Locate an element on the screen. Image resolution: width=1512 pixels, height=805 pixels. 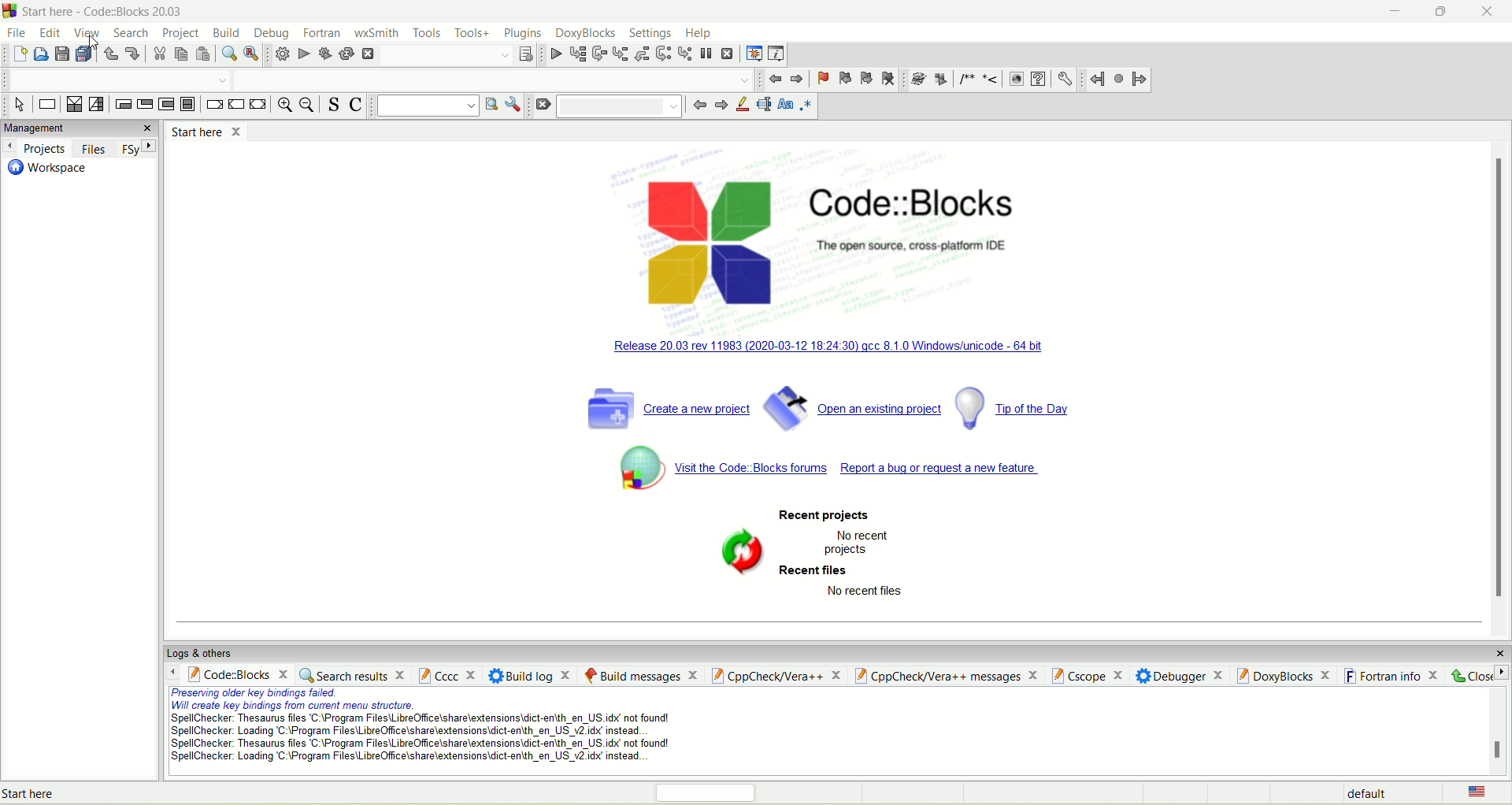
Cppcheck/vera++ message is located at coordinates (944, 675).